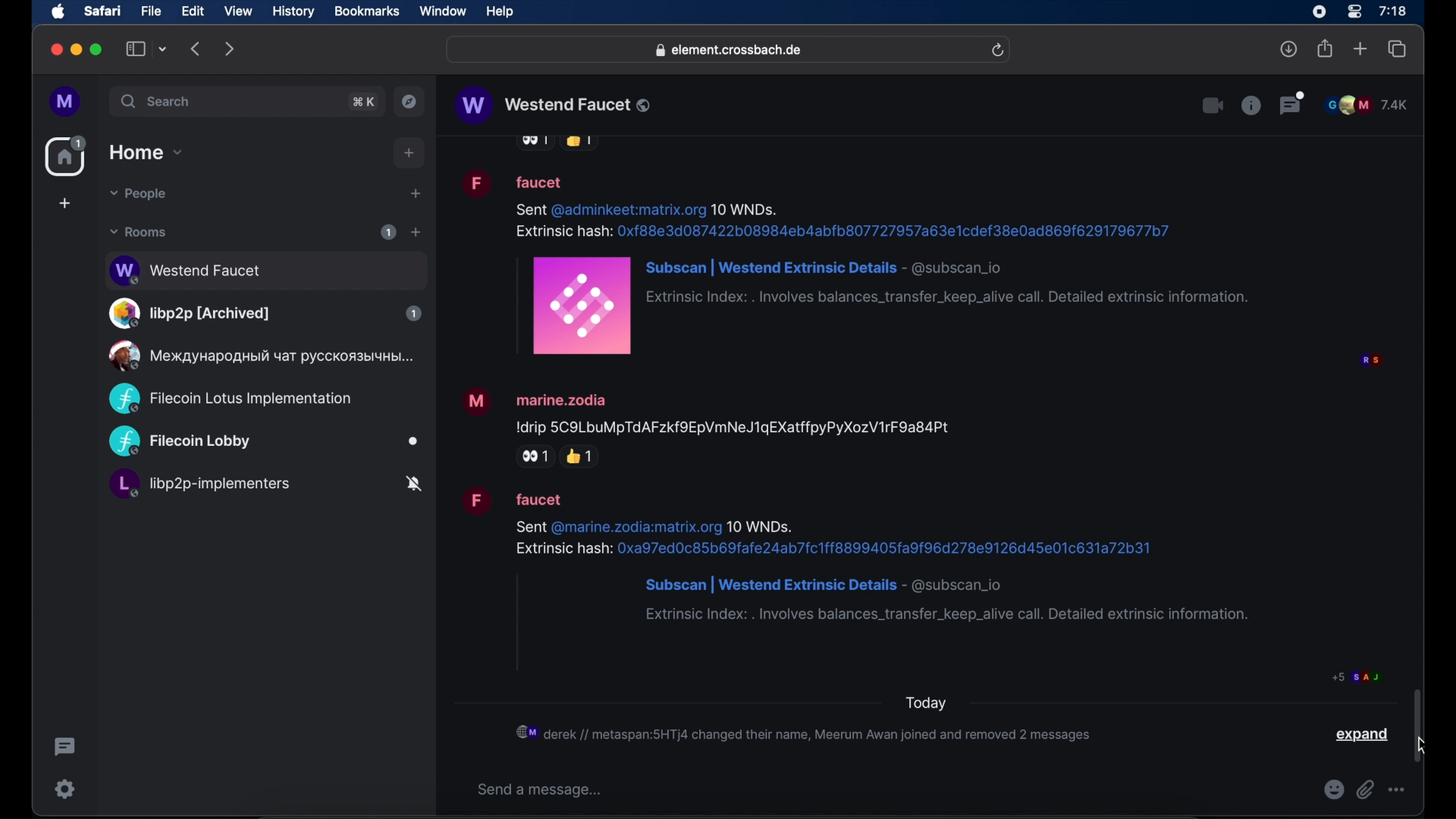  Describe the element at coordinates (1293, 103) in the screenshot. I see `threads` at that location.